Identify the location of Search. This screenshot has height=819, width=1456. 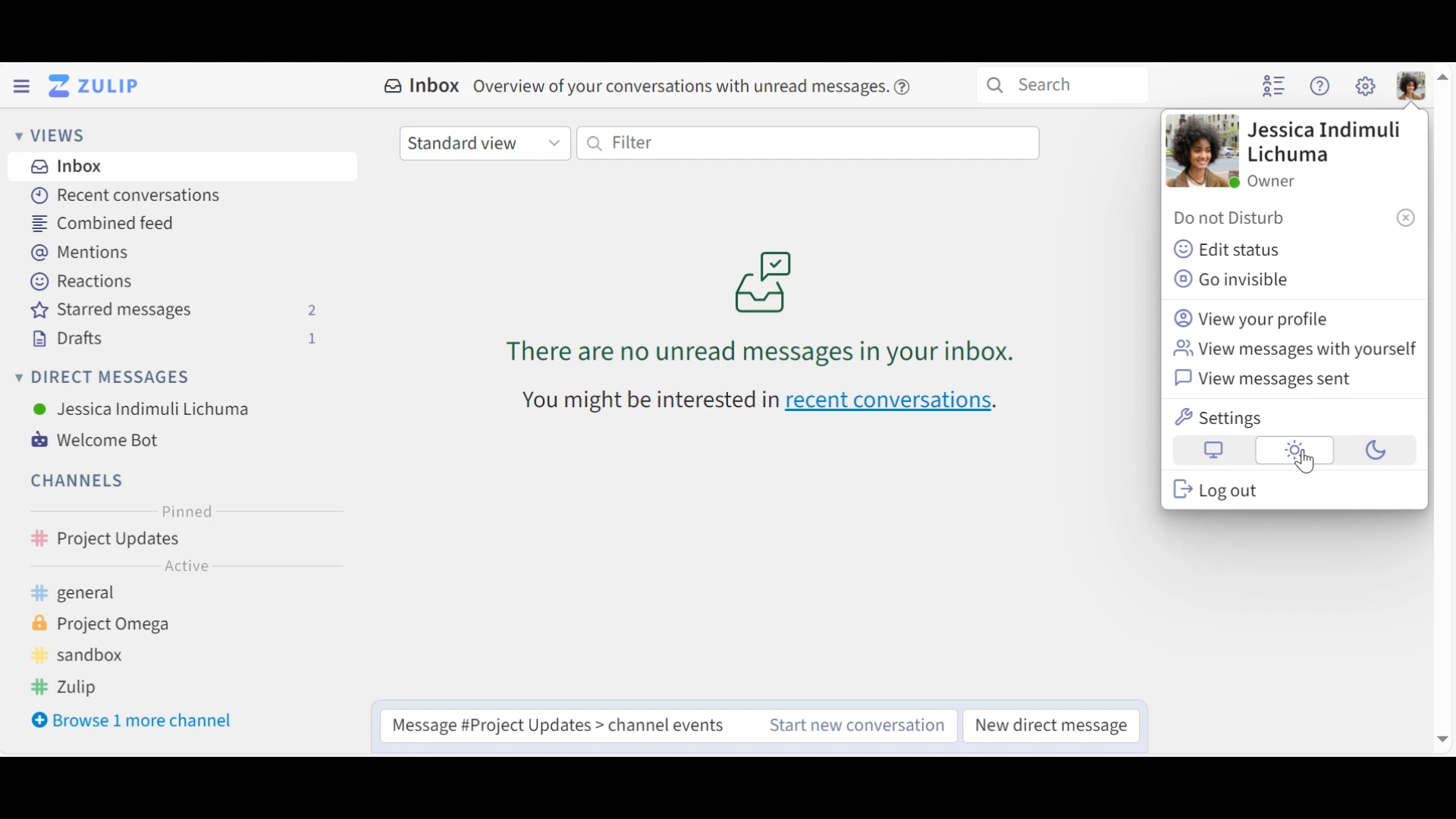
(1062, 85).